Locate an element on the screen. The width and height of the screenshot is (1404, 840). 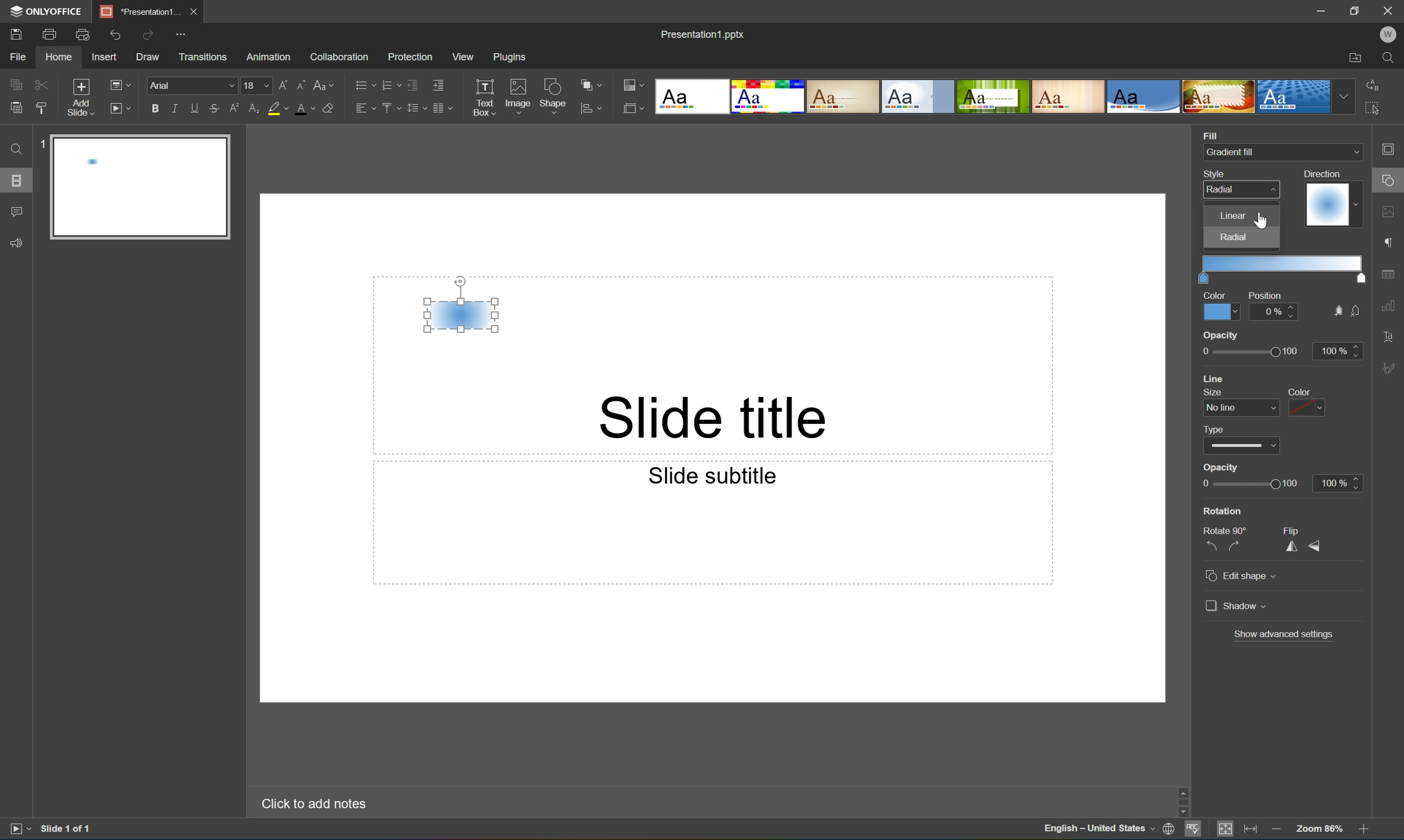
Line spacing is located at coordinates (415, 108).